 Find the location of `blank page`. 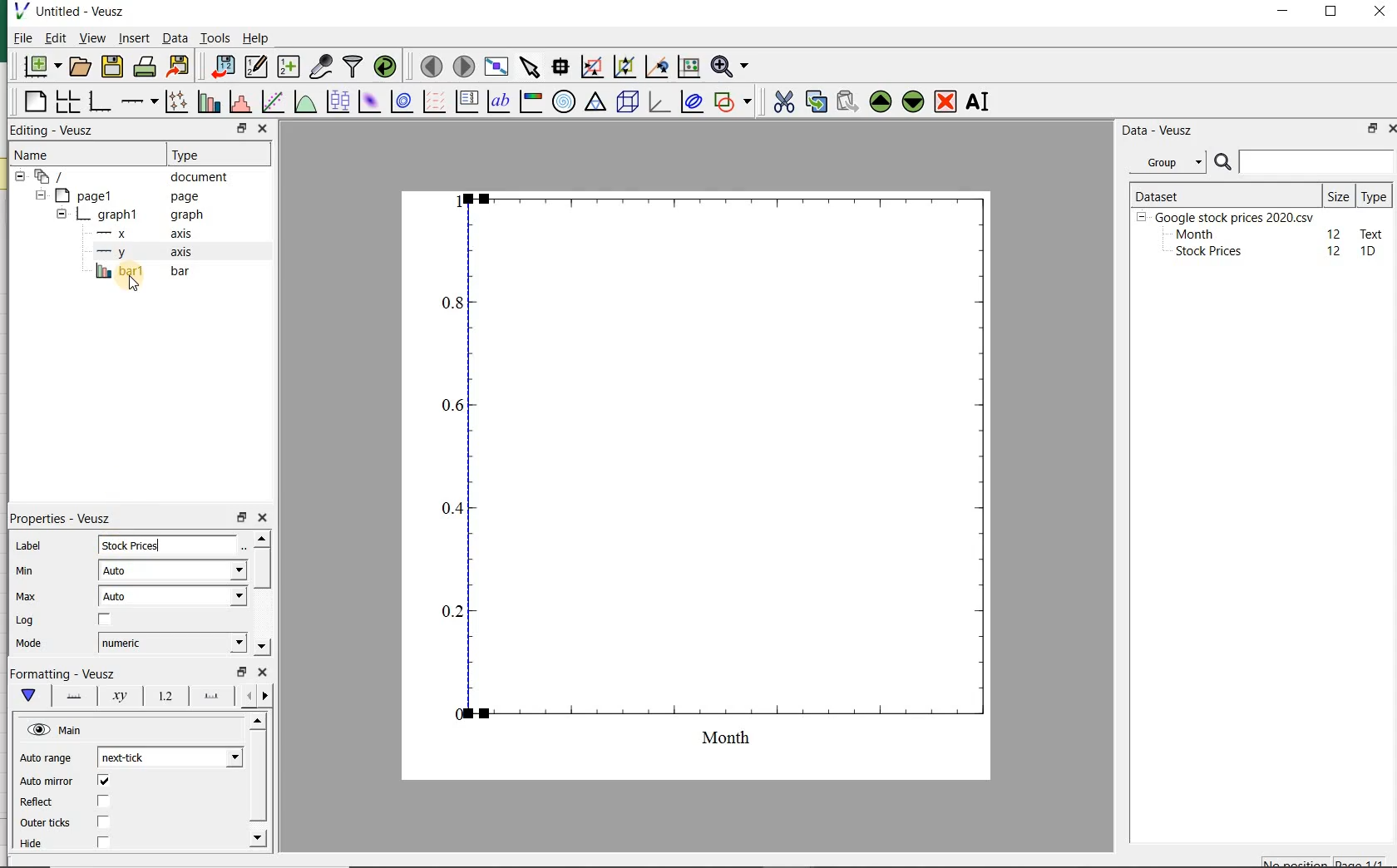

blank page is located at coordinates (34, 104).